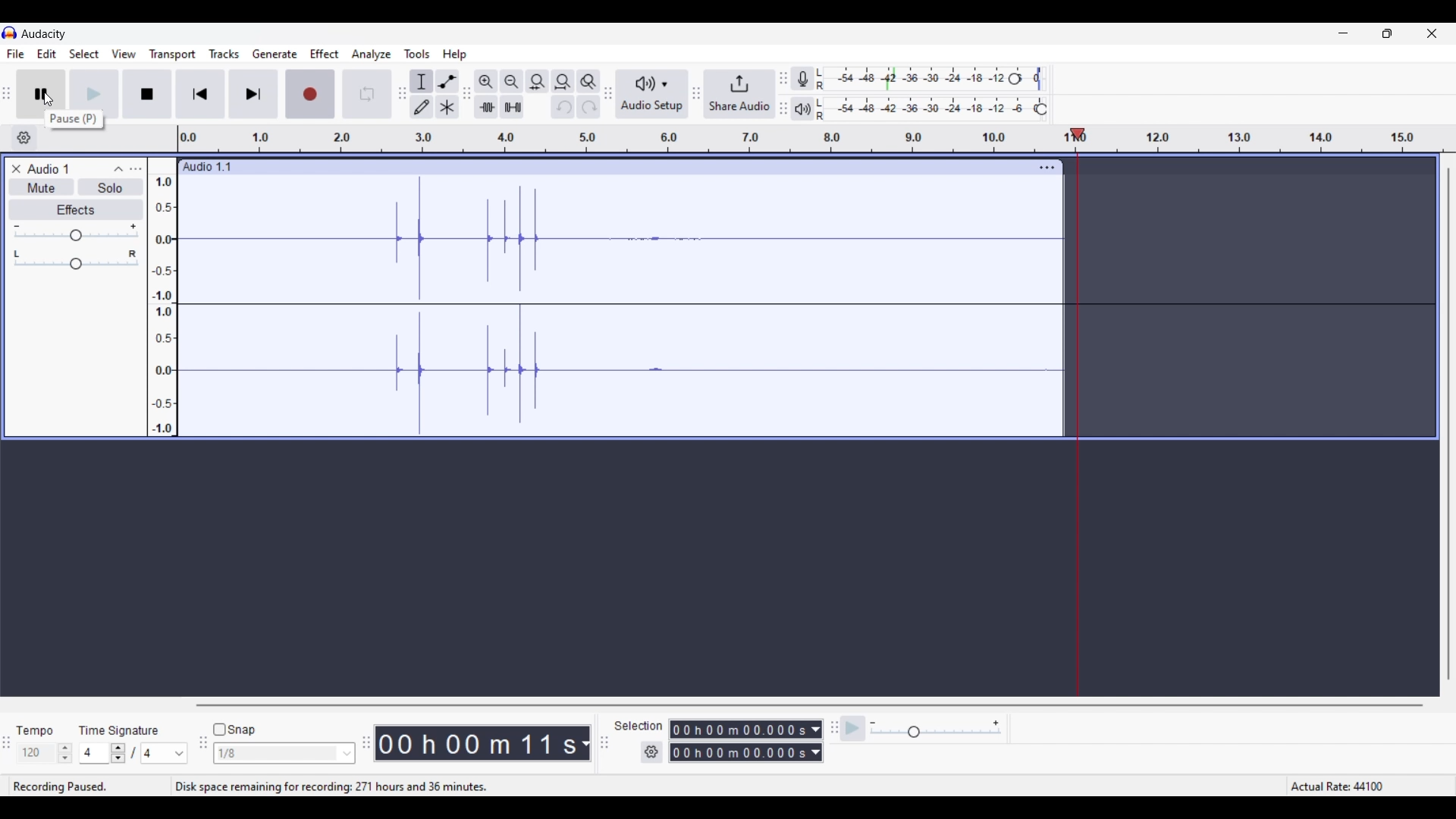  What do you see at coordinates (24, 138) in the screenshot?
I see `Timeline options` at bounding box center [24, 138].